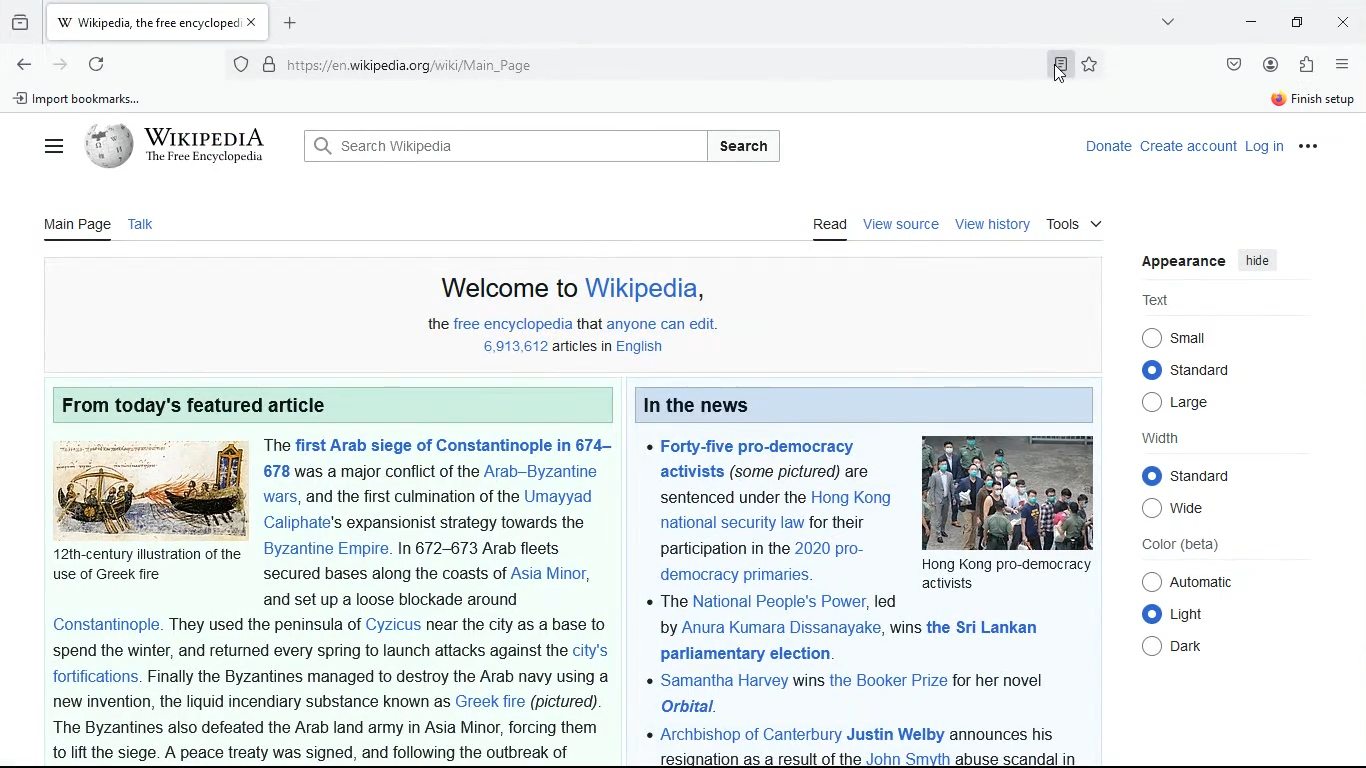 The image size is (1366, 768). What do you see at coordinates (768, 511) in the screenshot?
I see `text` at bounding box center [768, 511].